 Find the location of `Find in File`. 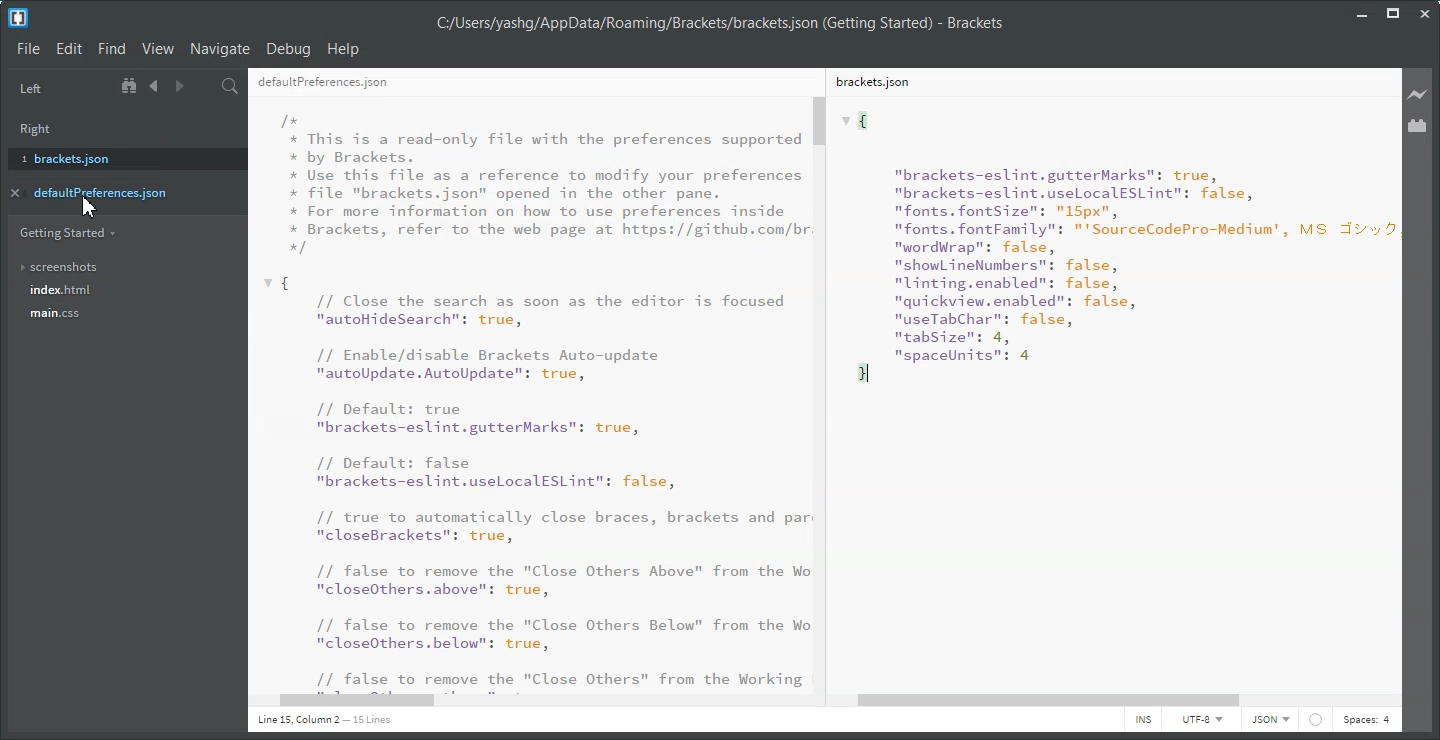

Find in File is located at coordinates (230, 86).